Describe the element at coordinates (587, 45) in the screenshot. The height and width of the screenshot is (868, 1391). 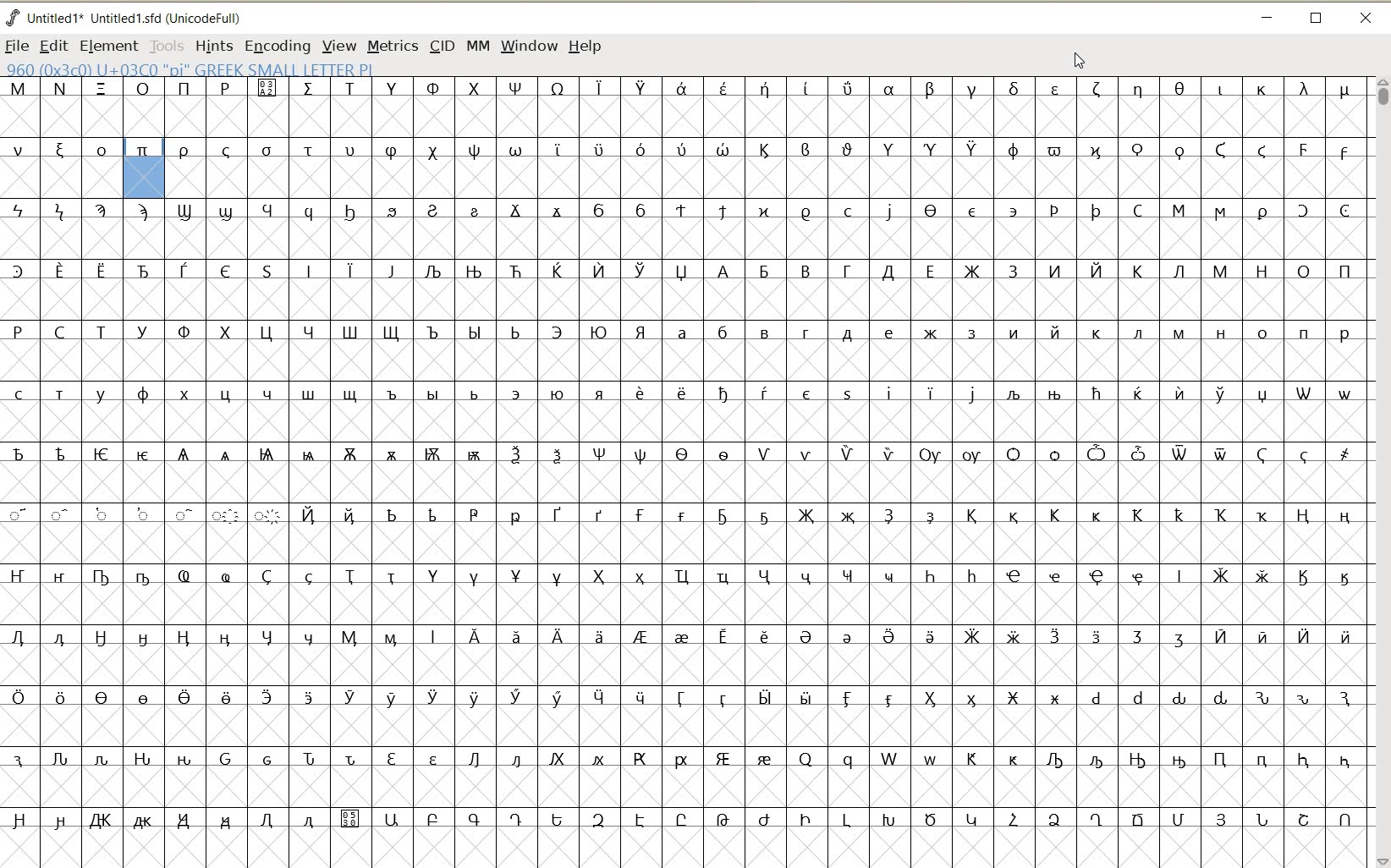
I see `HELP` at that location.